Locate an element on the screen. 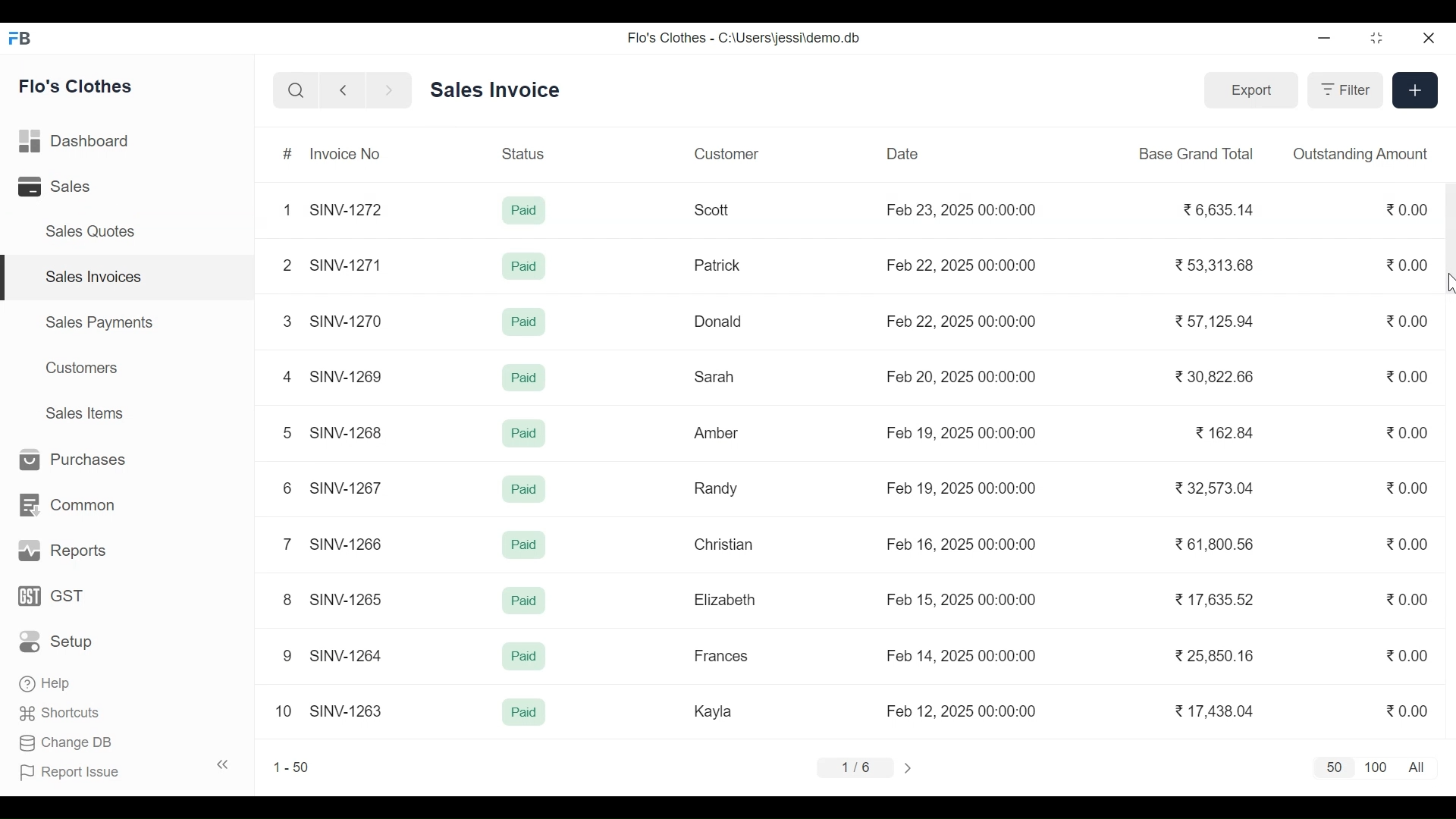 The width and height of the screenshot is (1456, 819). 0.00 is located at coordinates (1409, 265).